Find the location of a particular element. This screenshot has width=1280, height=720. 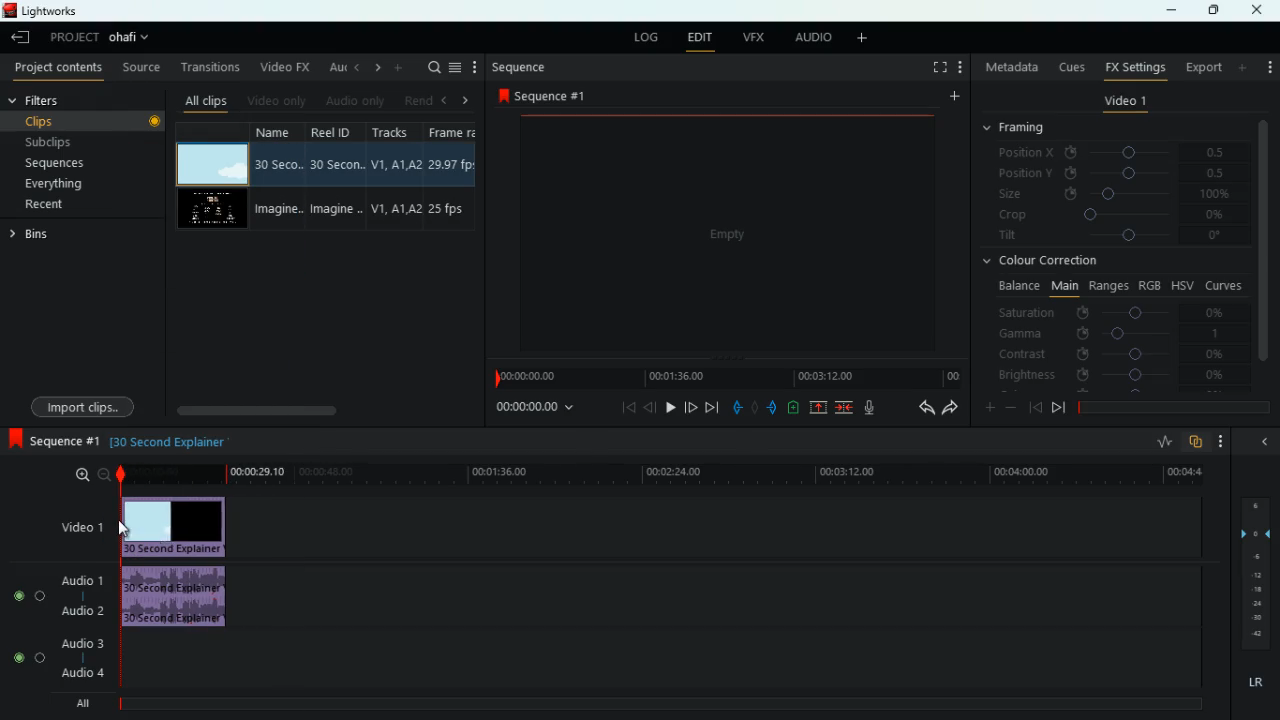

hold is located at coordinates (754, 406).